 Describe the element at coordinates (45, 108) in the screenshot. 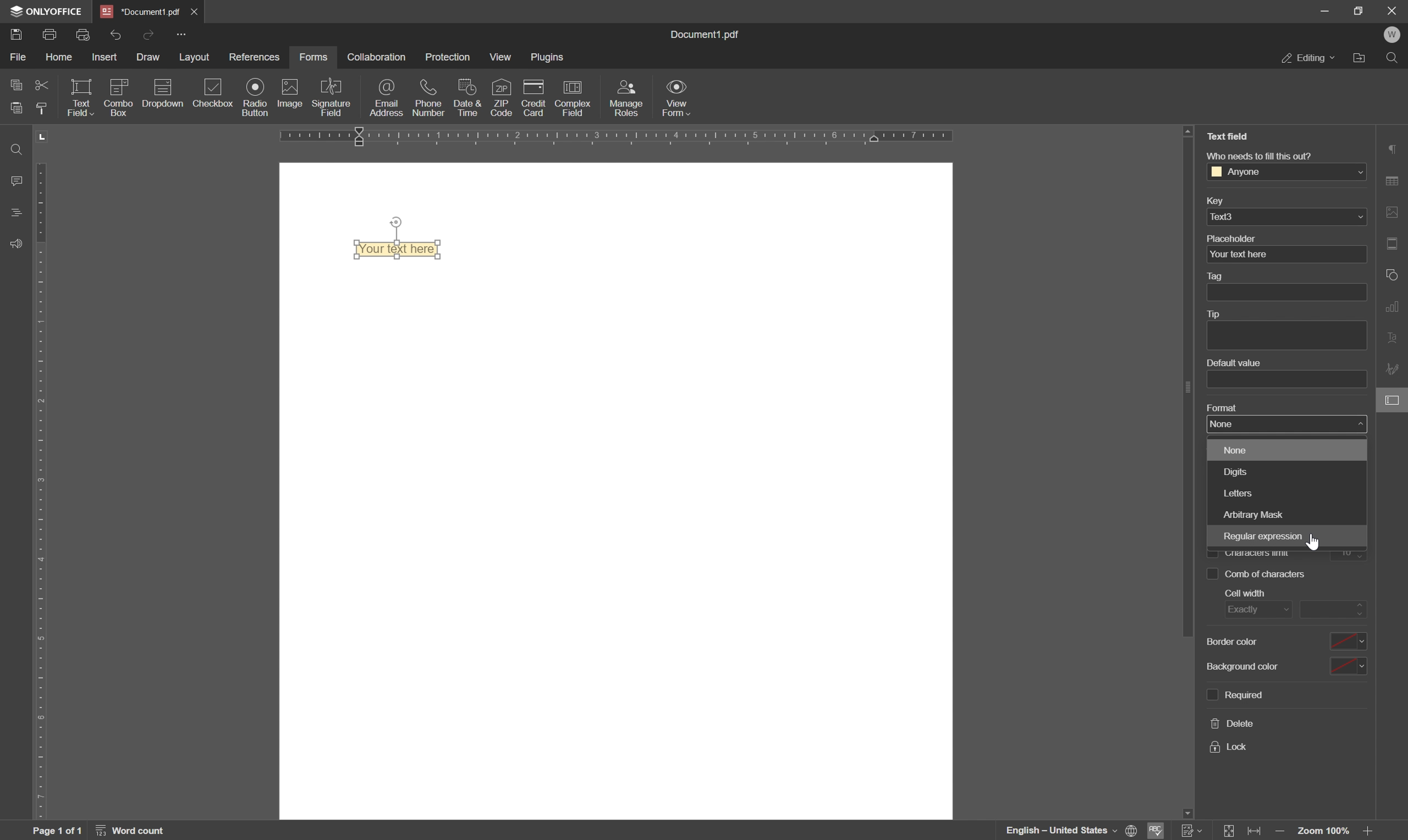

I see `copy style` at that location.